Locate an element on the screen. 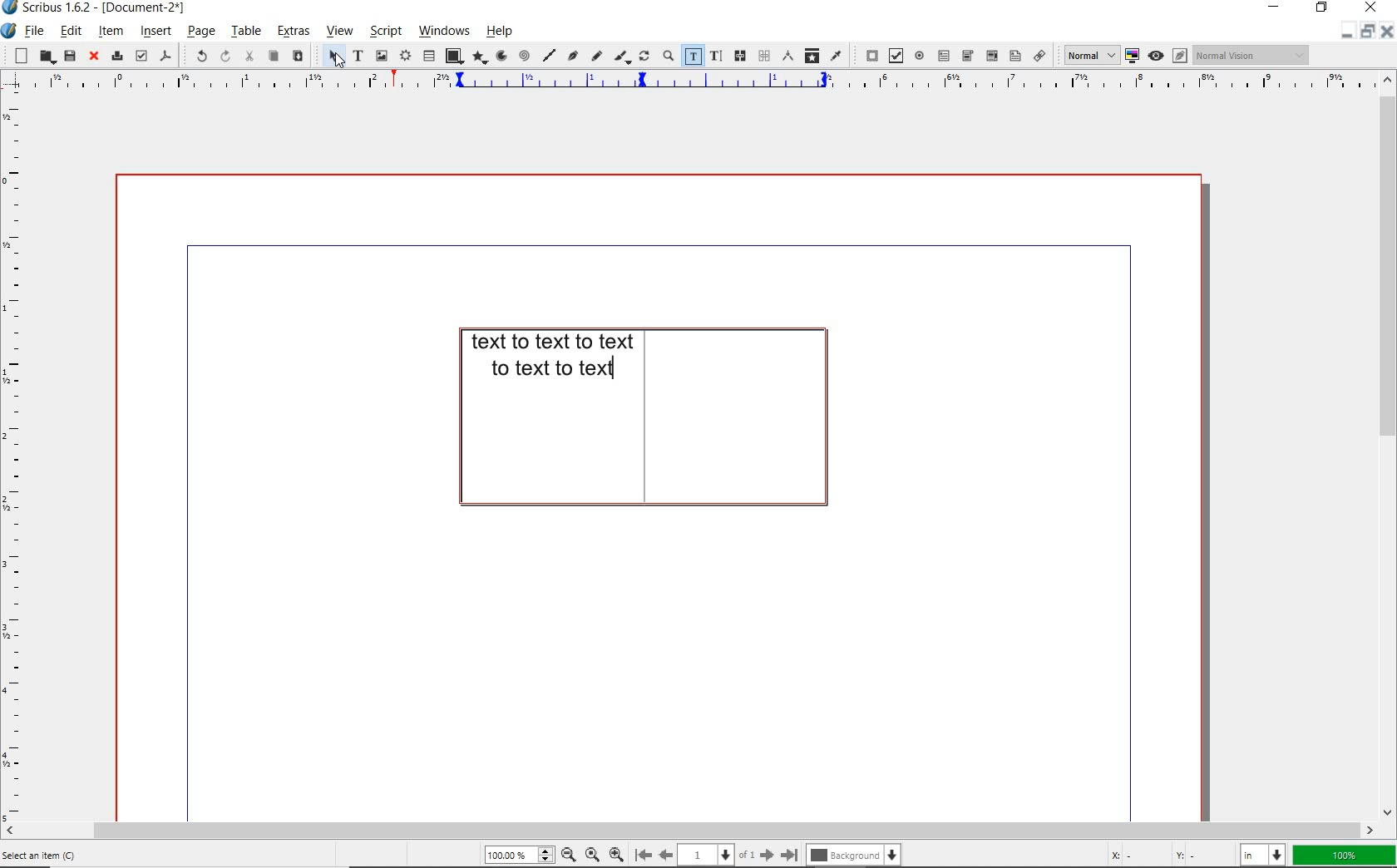 The image size is (1397, 868). pdf push button is located at coordinates (866, 55).